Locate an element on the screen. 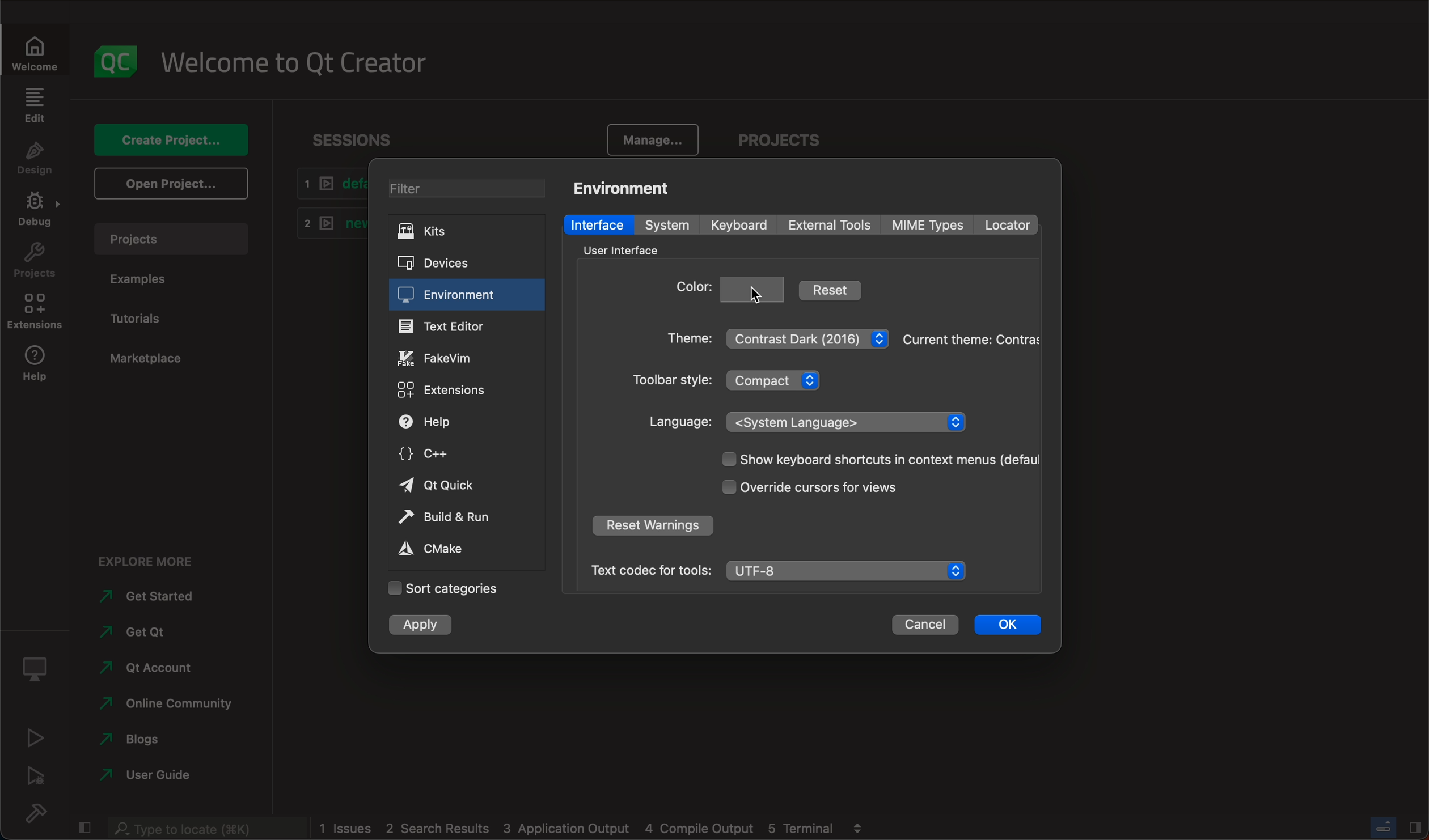 The image size is (1429, 840). toolbar style is located at coordinates (669, 382).